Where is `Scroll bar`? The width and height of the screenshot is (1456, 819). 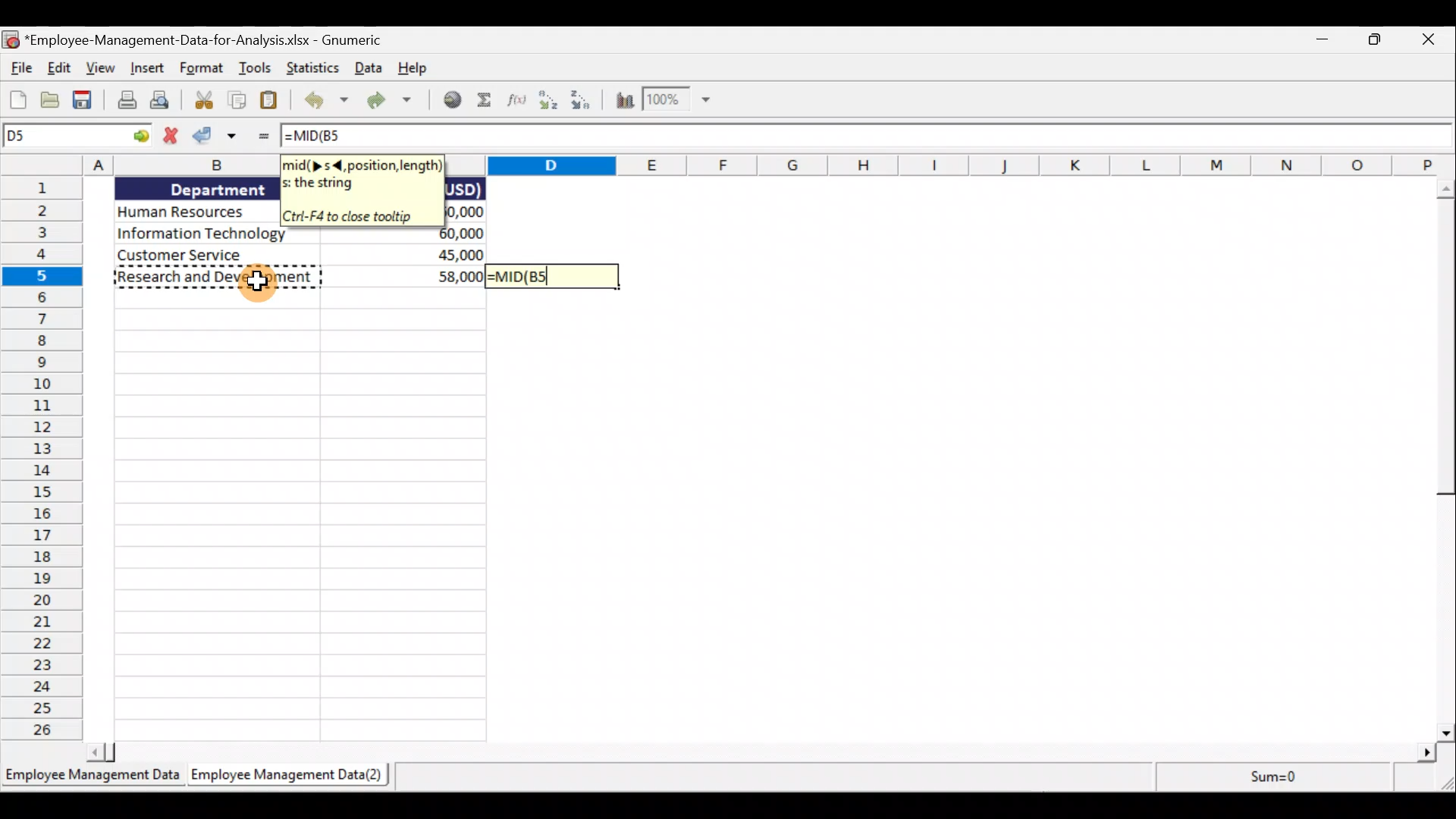 Scroll bar is located at coordinates (1439, 458).